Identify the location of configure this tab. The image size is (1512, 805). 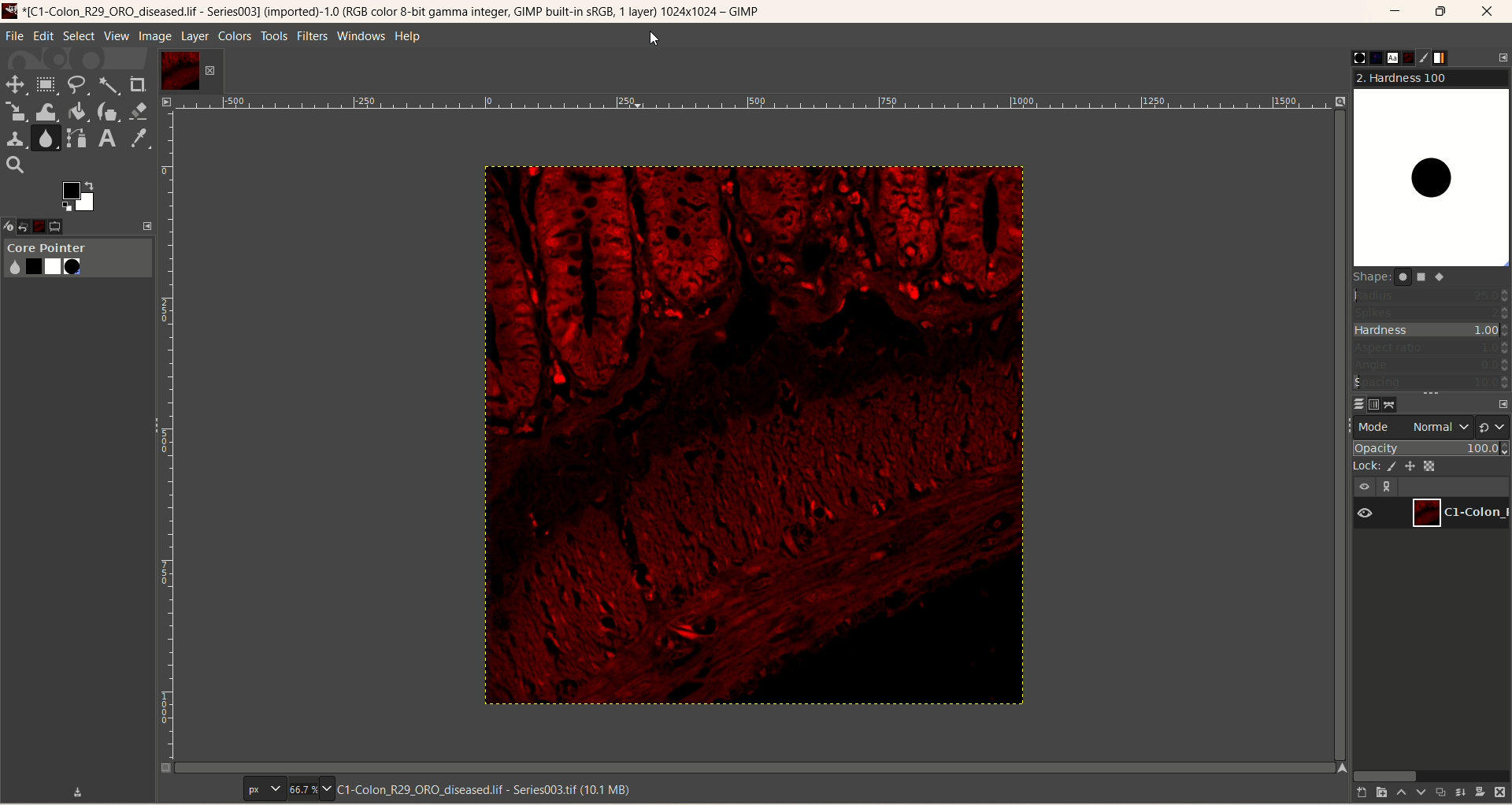
(1503, 57).